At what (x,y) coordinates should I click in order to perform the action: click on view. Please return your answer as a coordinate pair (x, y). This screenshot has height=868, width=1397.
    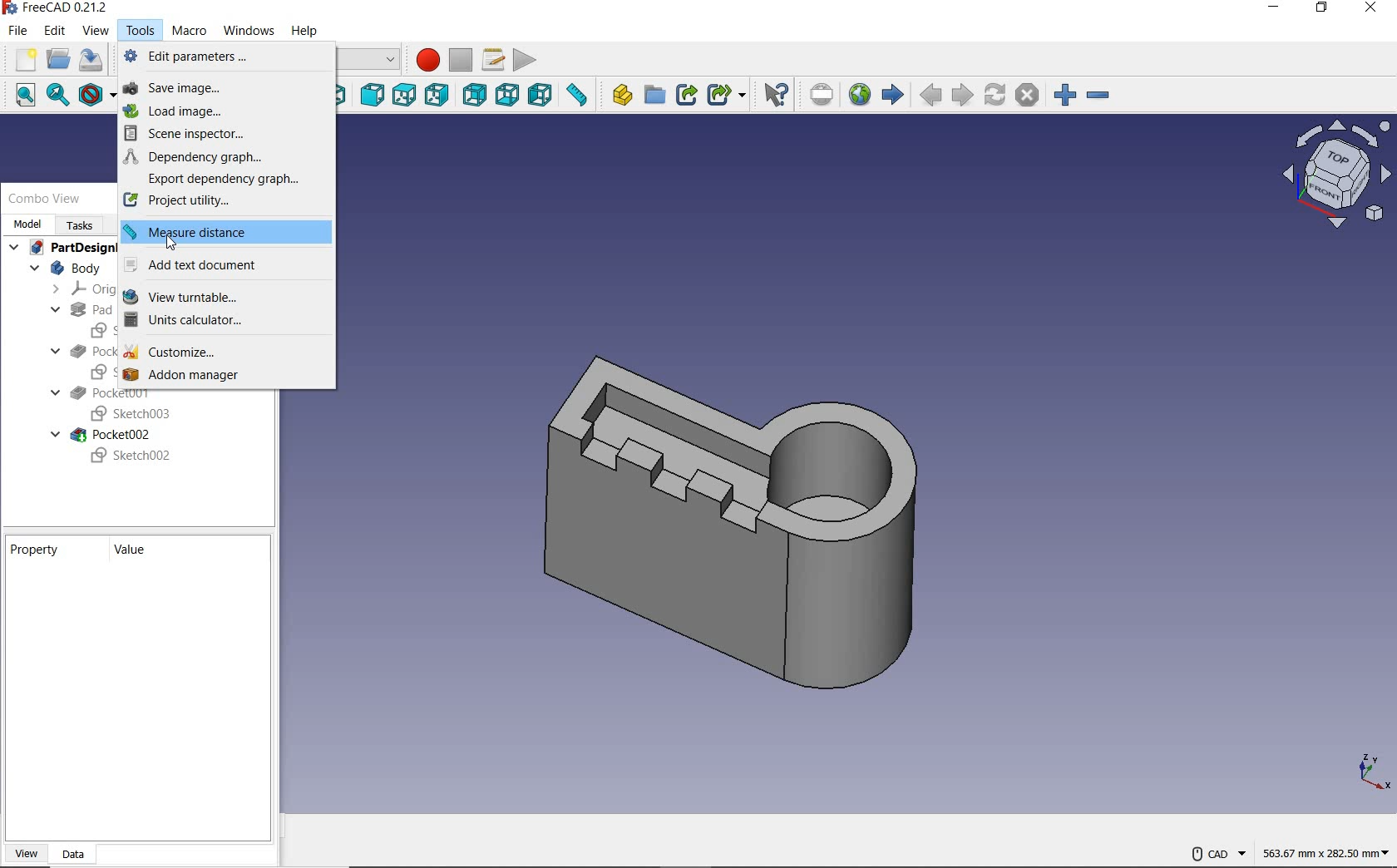
    Looking at the image, I should click on (94, 33).